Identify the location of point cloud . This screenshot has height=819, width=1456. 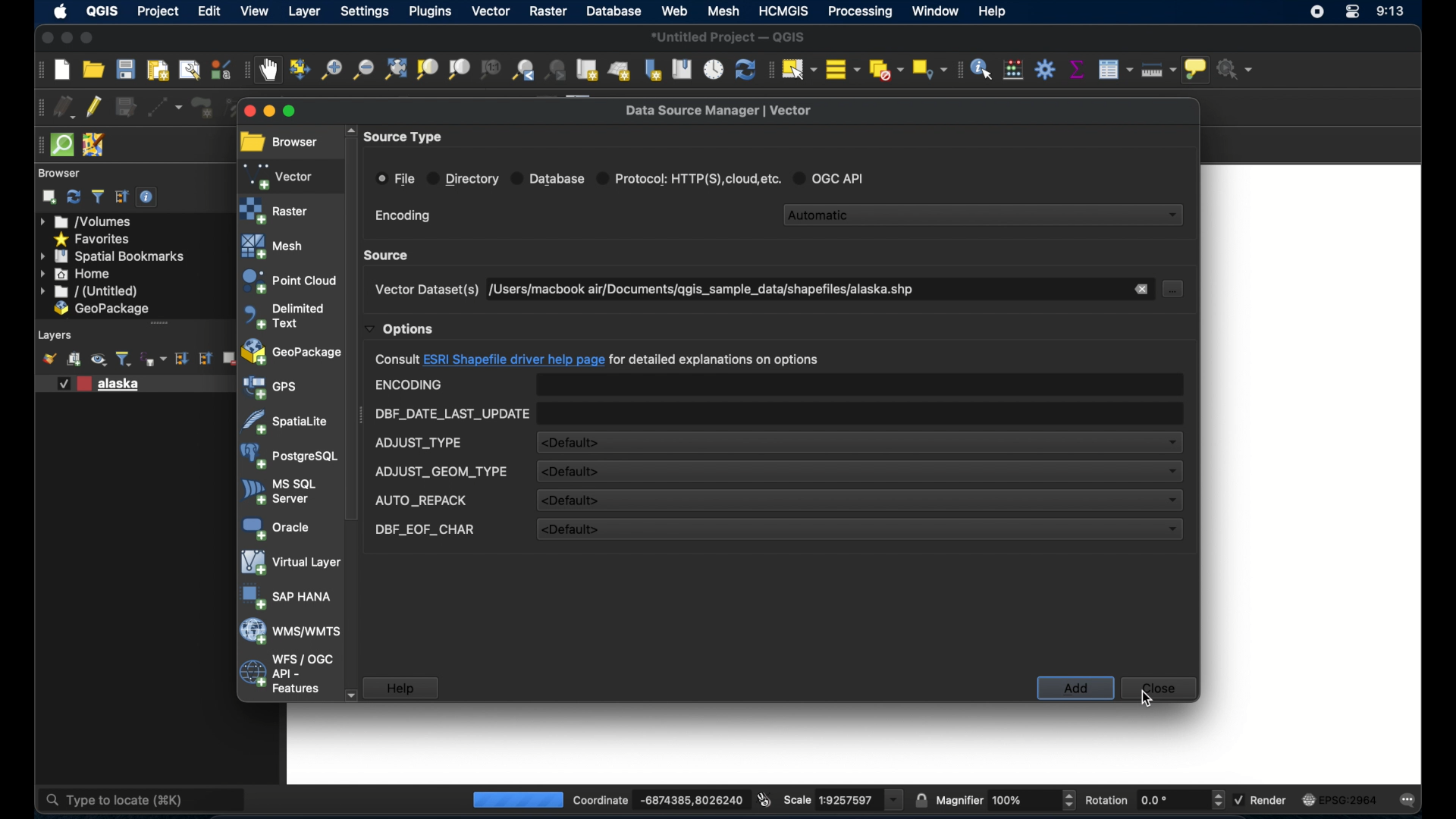
(288, 281).